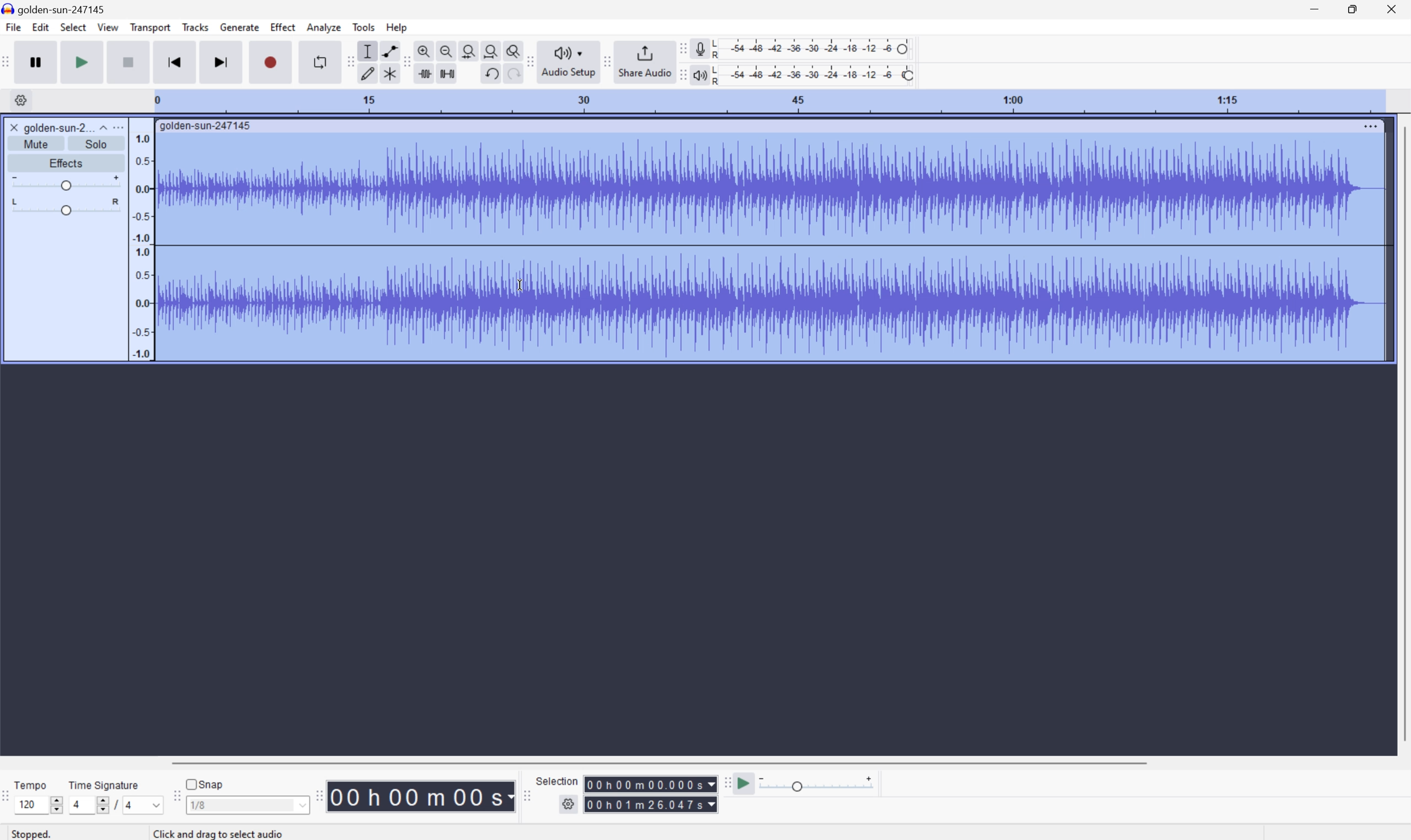 The height and width of the screenshot is (840, 1411). Describe the element at coordinates (650, 804) in the screenshot. I see `Selection` at that location.